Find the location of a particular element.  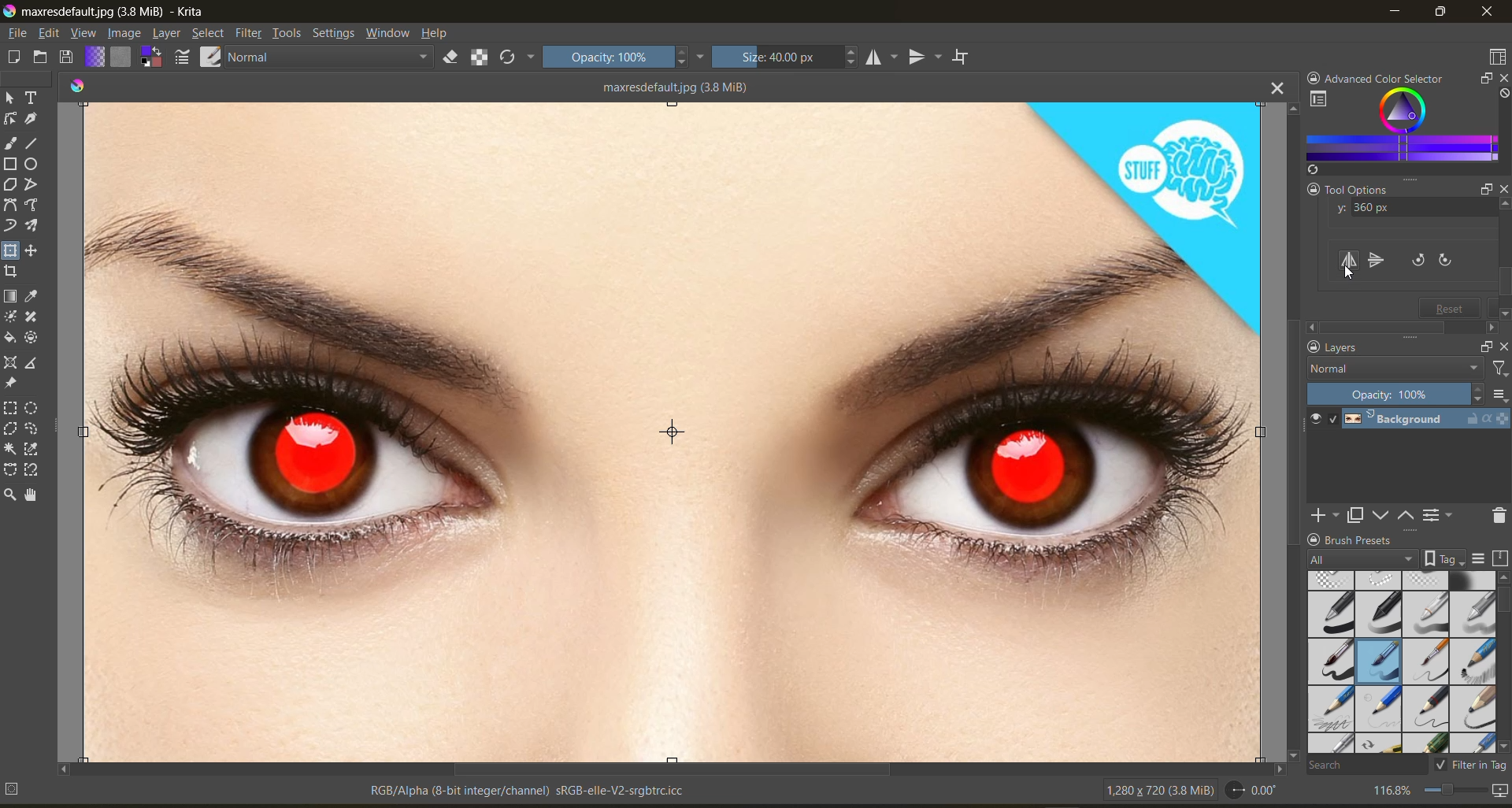

tool is located at coordinates (9, 317).